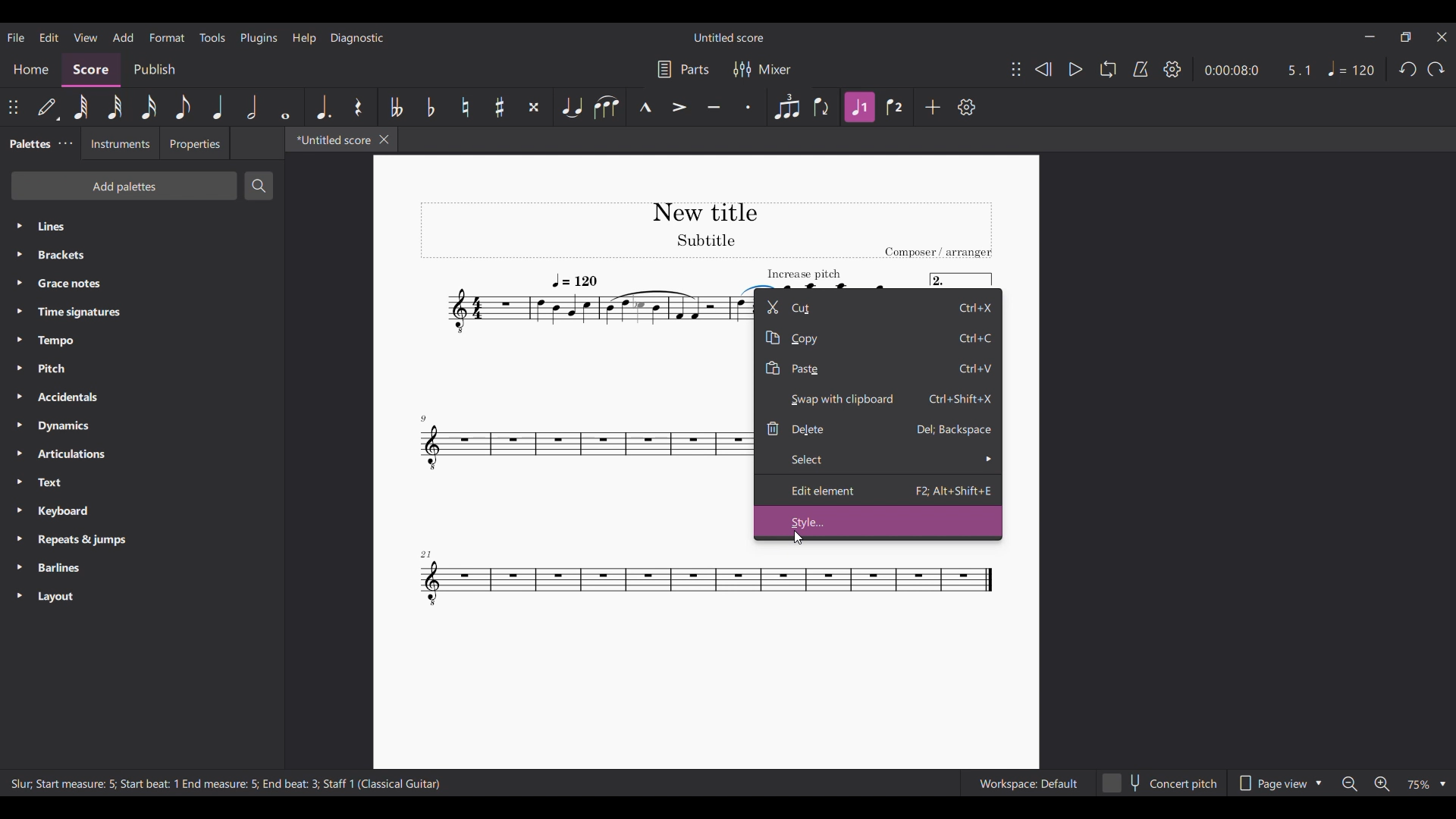  What do you see at coordinates (878, 369) in the screenshot?
I see `Paste` at bounding box center [878, 369].